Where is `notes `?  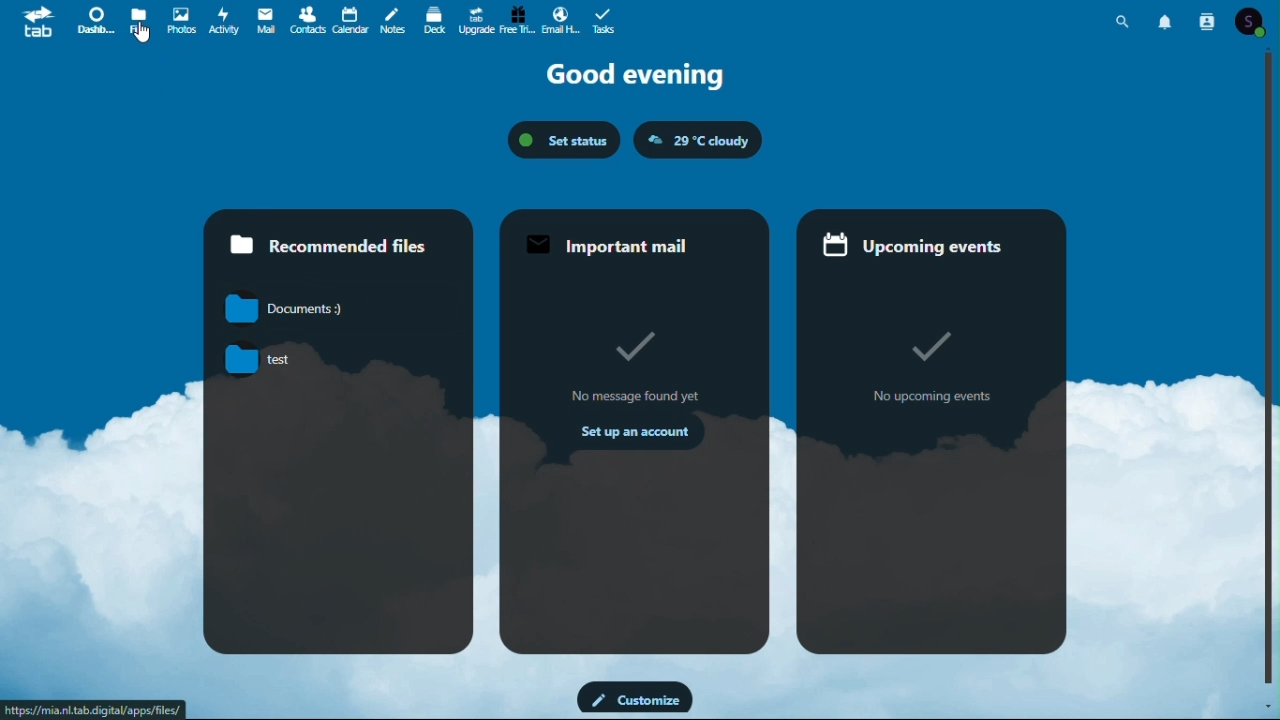
notes  is located at coordinates (395, 21).